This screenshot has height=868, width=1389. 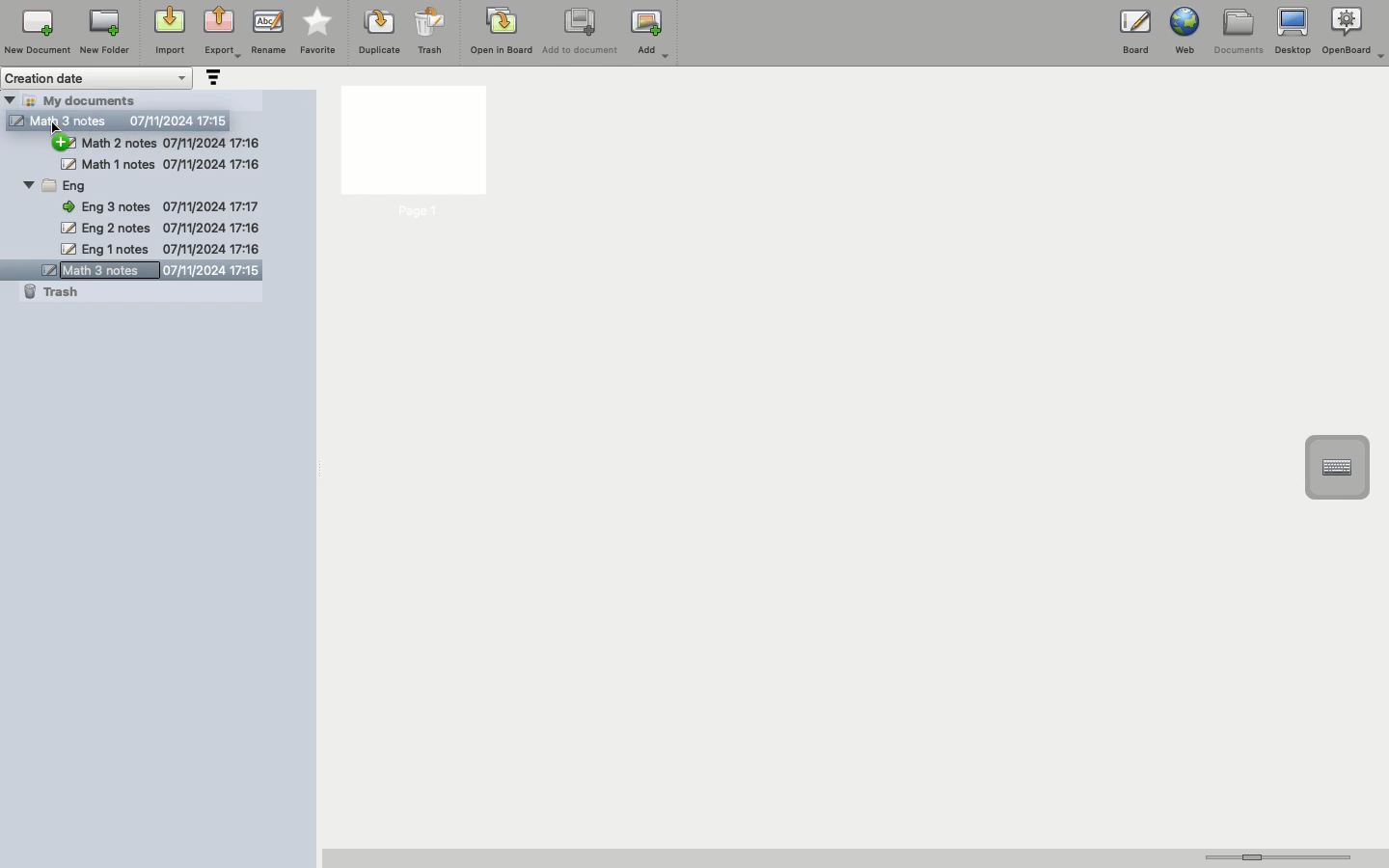 What do you see at coordinates (167, 205) in the screenshot?
I see `Eng 3 notes 07/11/2024` at bounding box center [167, 205].